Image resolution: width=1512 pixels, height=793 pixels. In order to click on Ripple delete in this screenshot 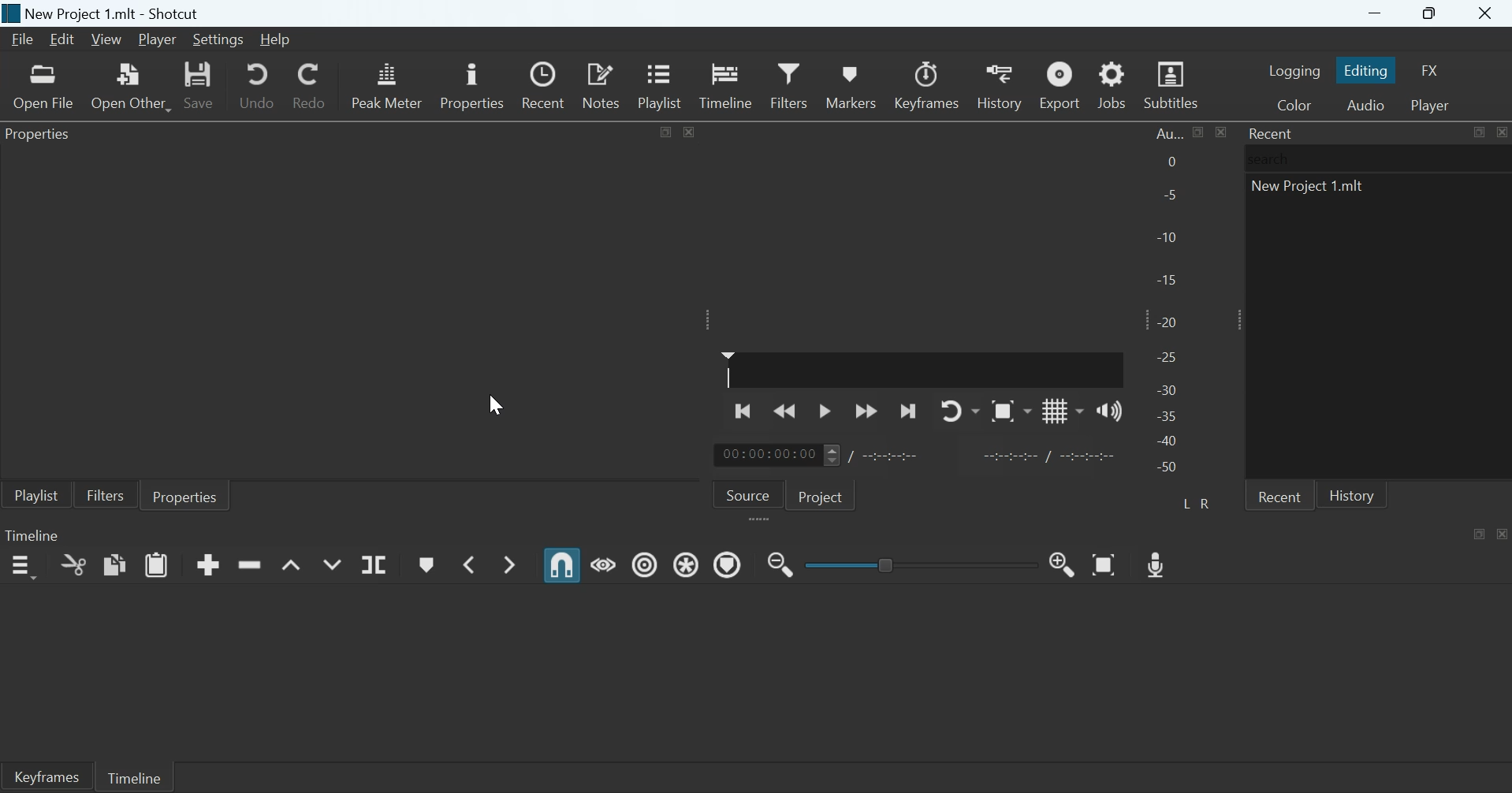, I will do `click(249, 564)`.